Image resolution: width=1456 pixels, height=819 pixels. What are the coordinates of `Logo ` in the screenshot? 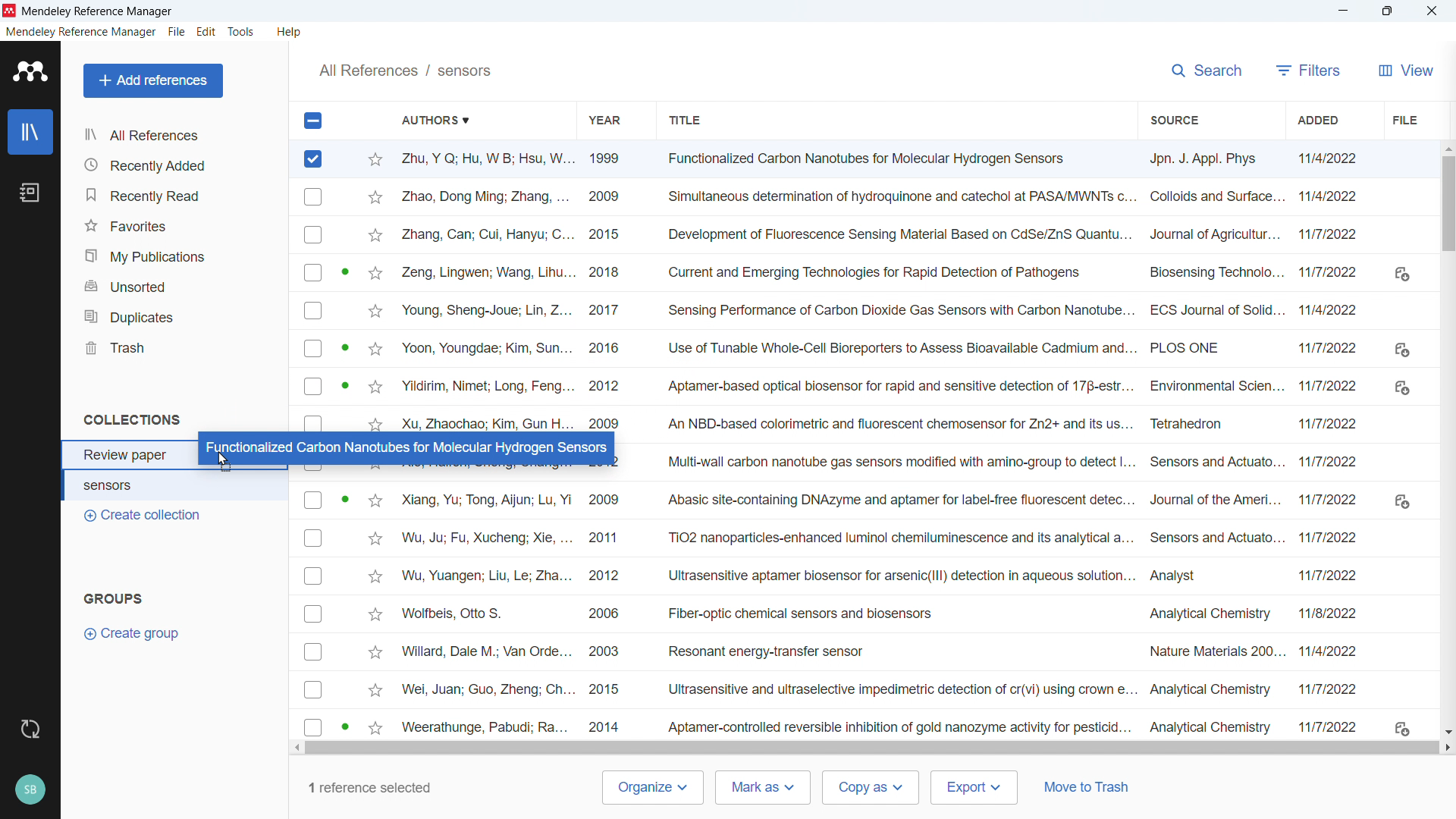 It's located at (30, 71).